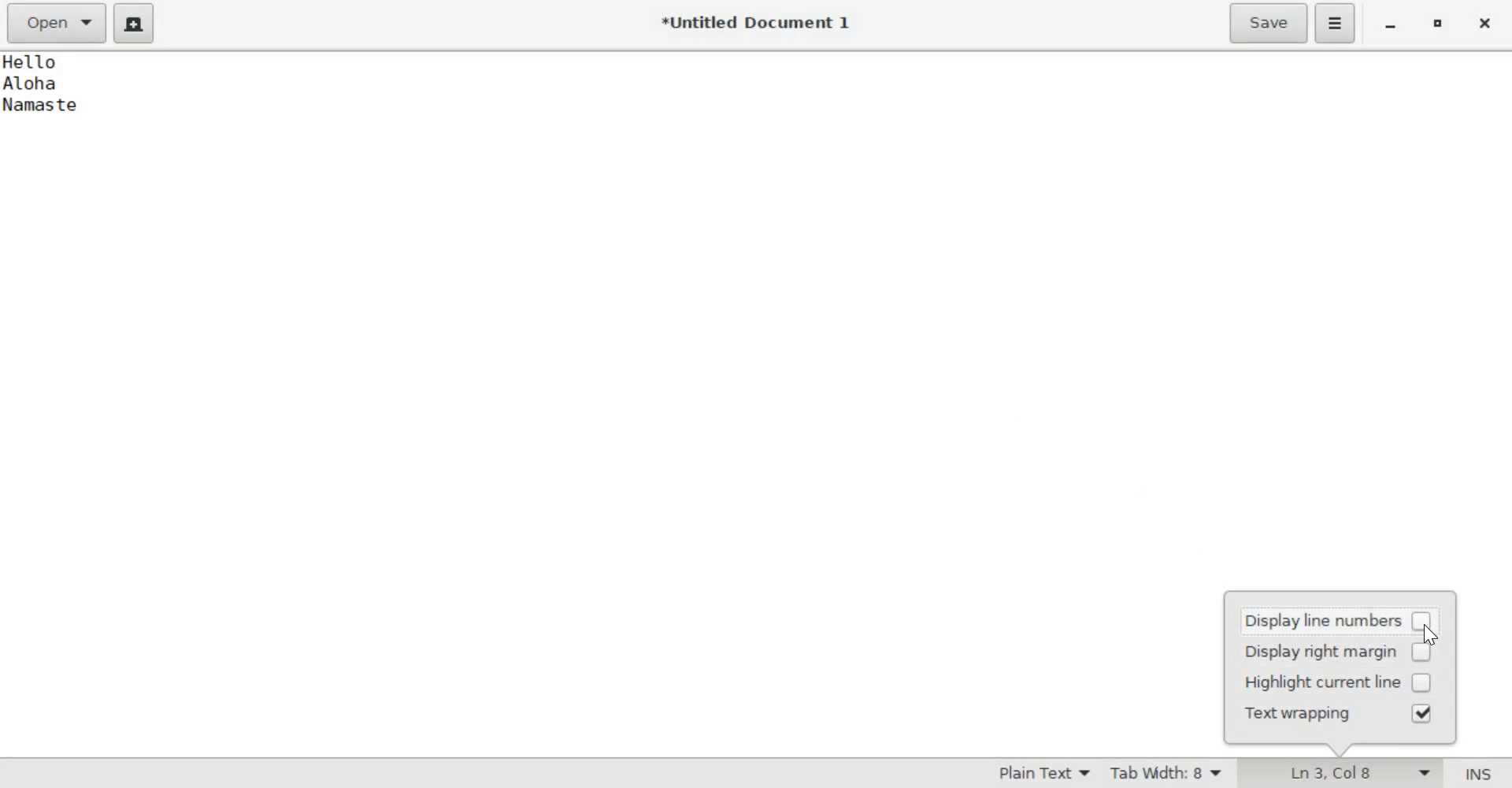 This screenshot has height=788, width=1512. I want to click on Save the current file, so click(1268, 24).